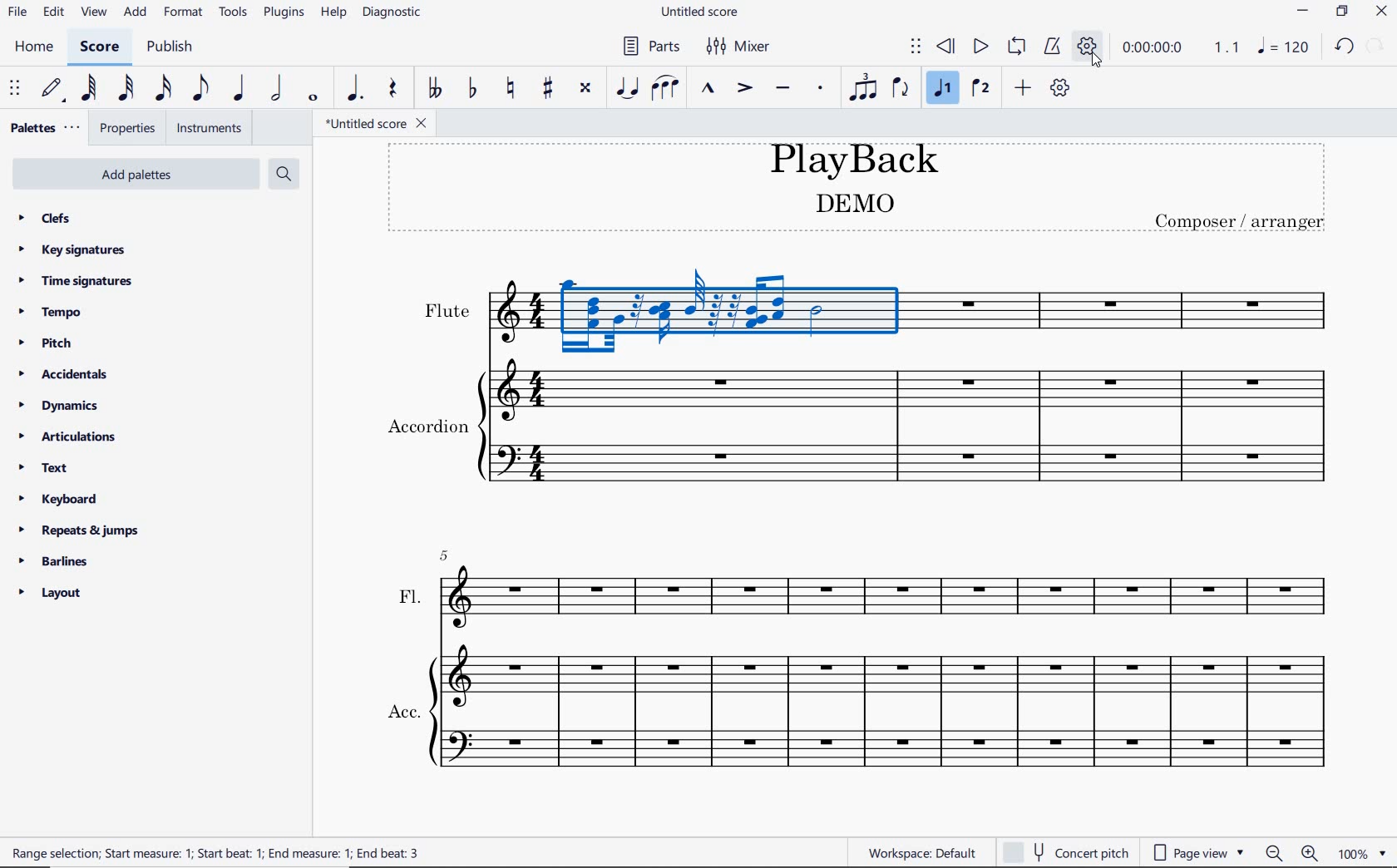 This screenshot has width=1397, height=868. Describe the element at coordinates (1375, 45) in the screenshot. I see `redo` at that location.